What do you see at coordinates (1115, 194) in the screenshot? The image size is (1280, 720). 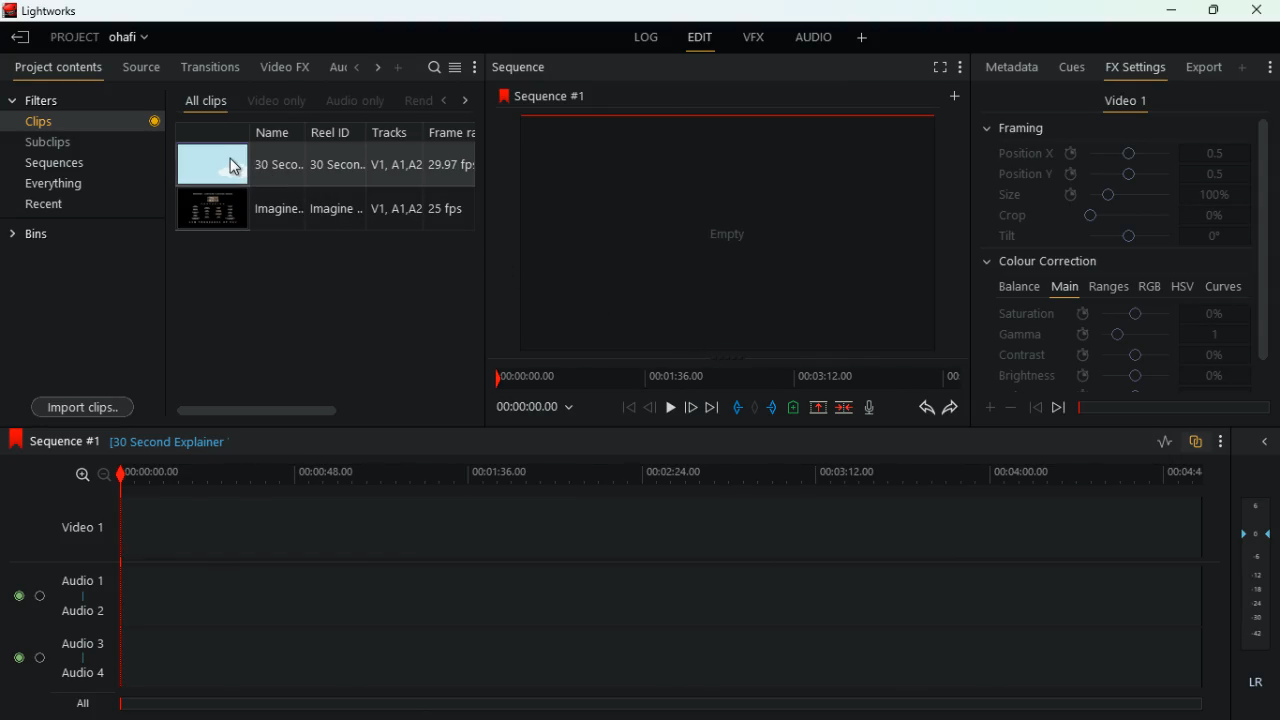 I see `size` at bounding box center [1115, 194].